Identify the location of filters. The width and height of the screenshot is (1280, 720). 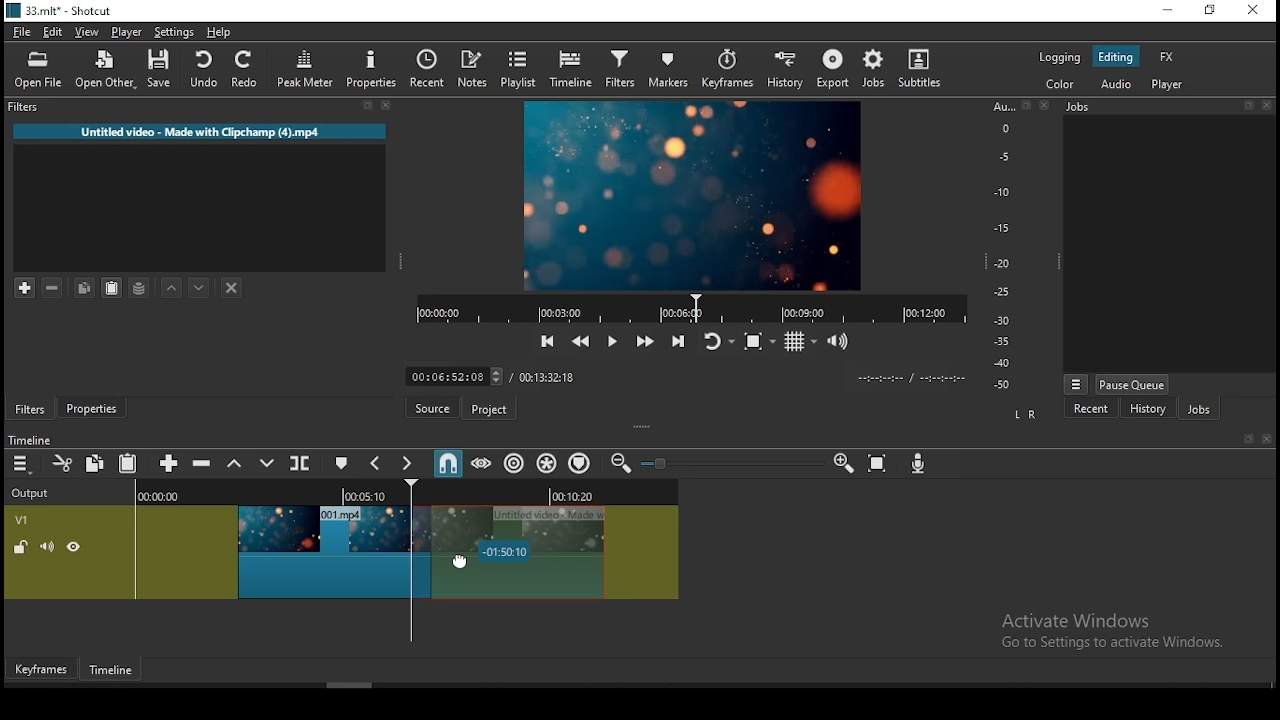
(204, 109).